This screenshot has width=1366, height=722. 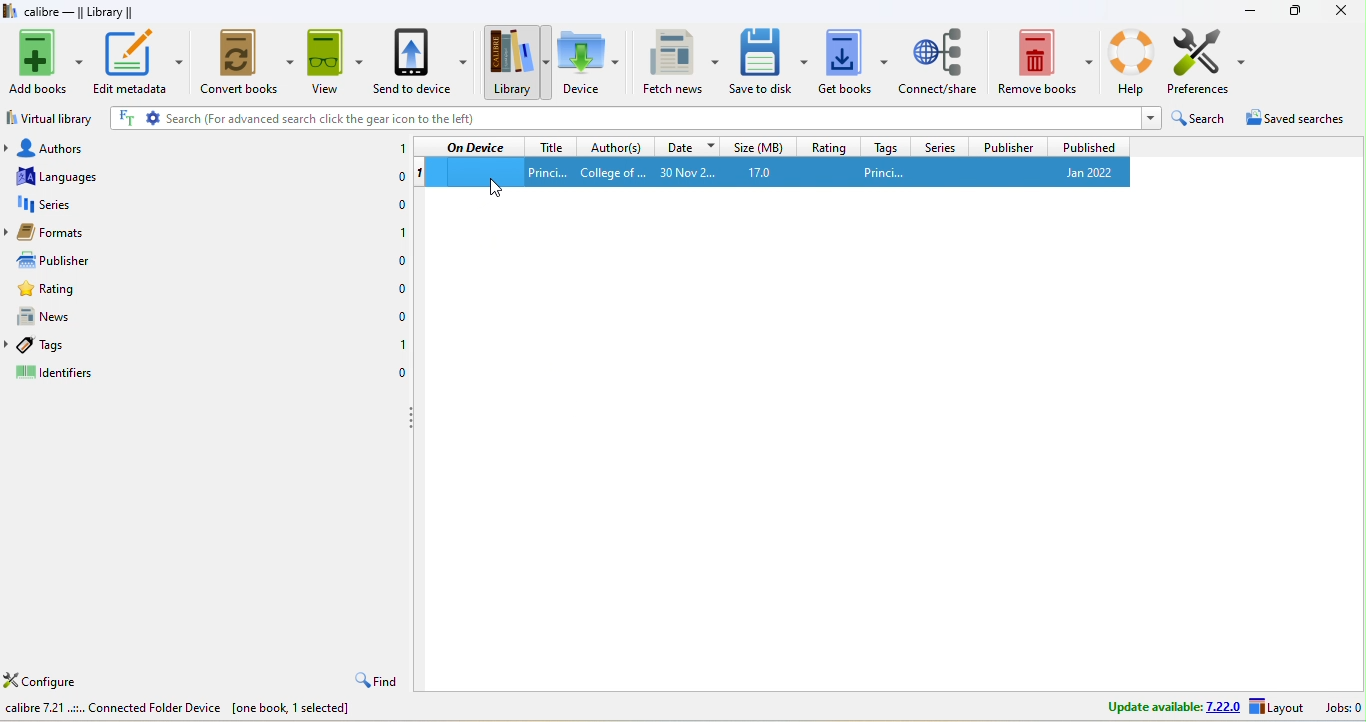 What do you see at coordinates (1209, 62) in the screenshot?
I see `preference` at bounding box center [1209, 62].